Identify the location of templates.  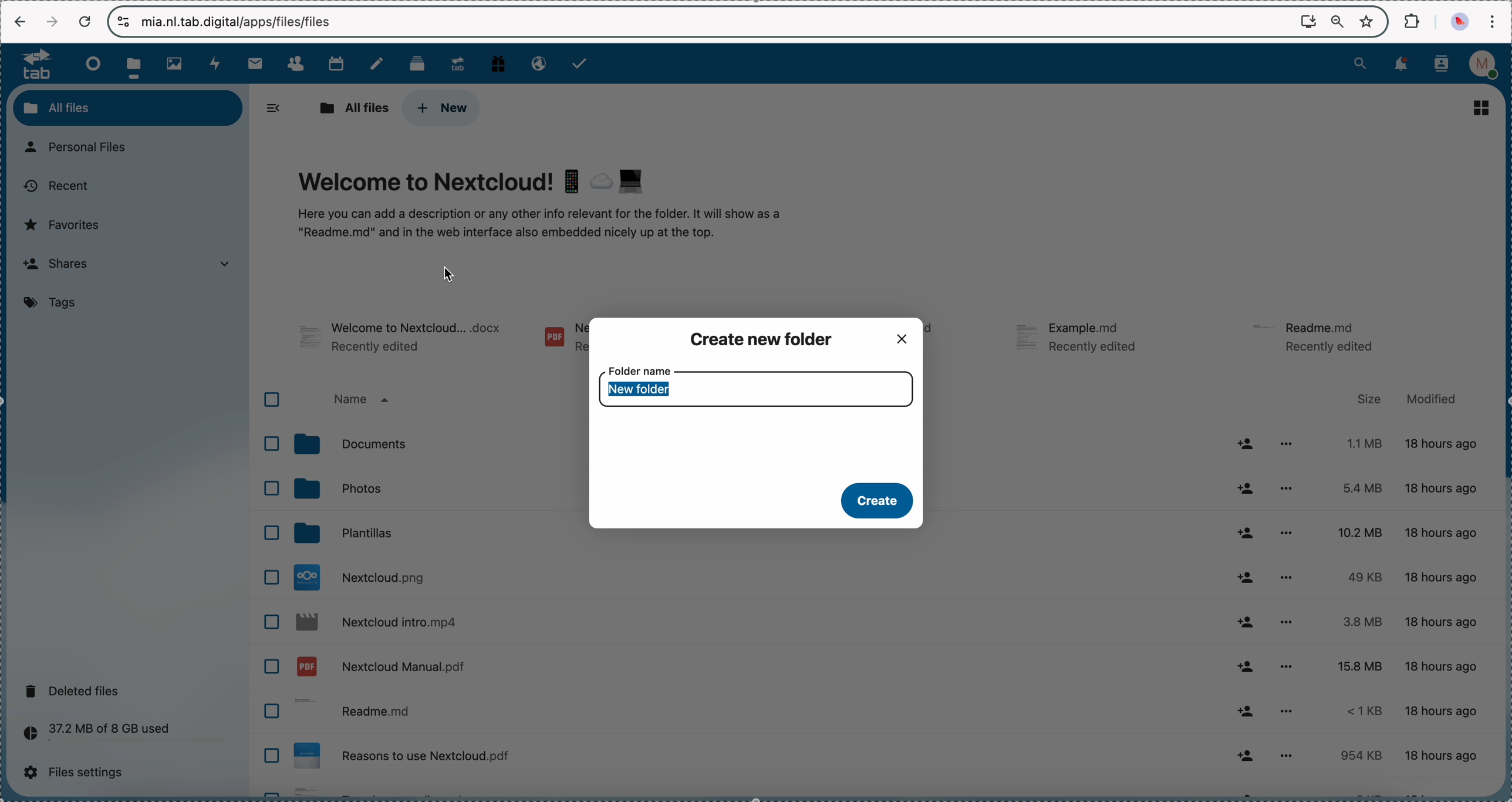
(435, 535).